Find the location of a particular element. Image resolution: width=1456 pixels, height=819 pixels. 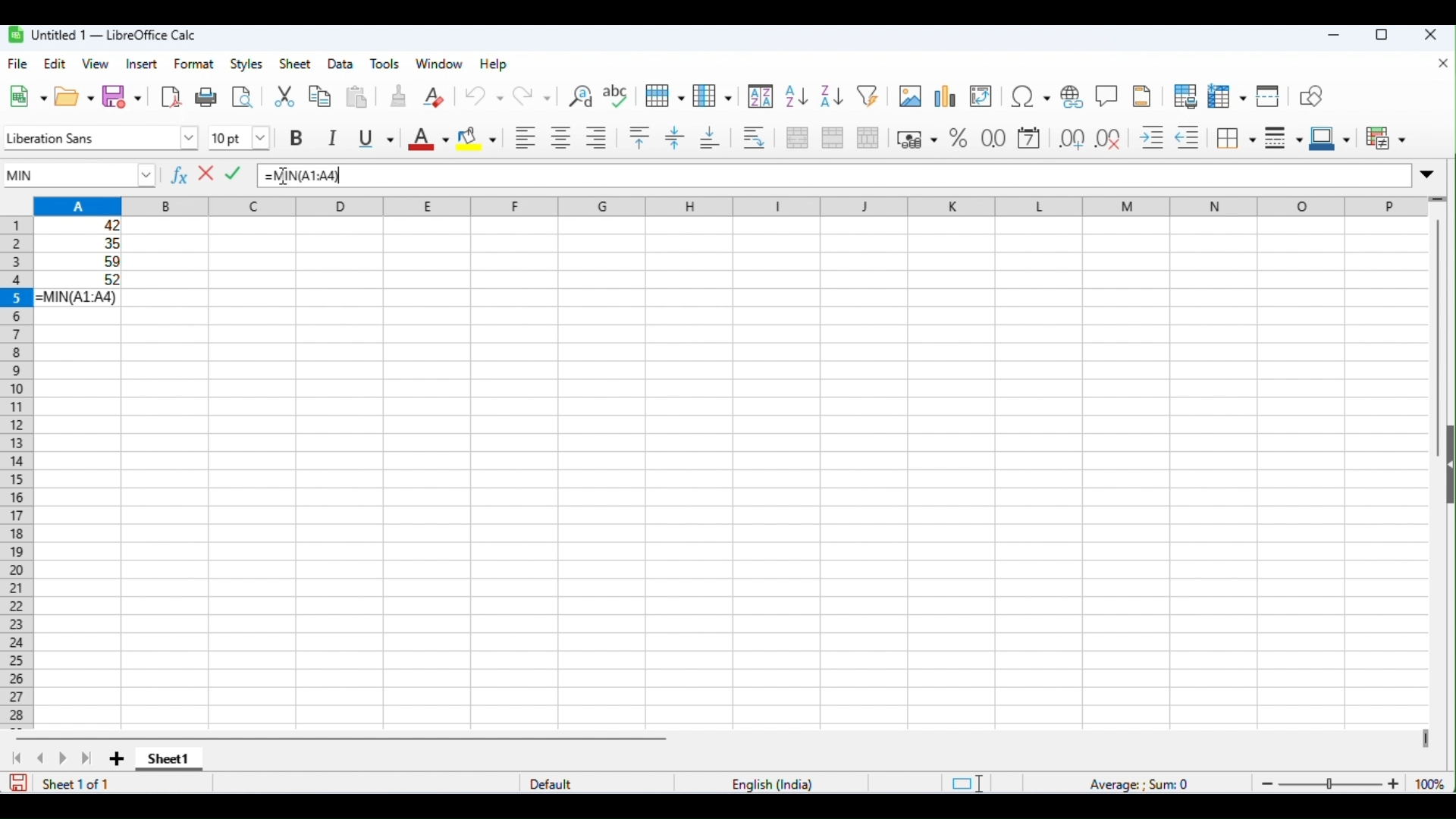

close is located at coordinates (1430, 35).